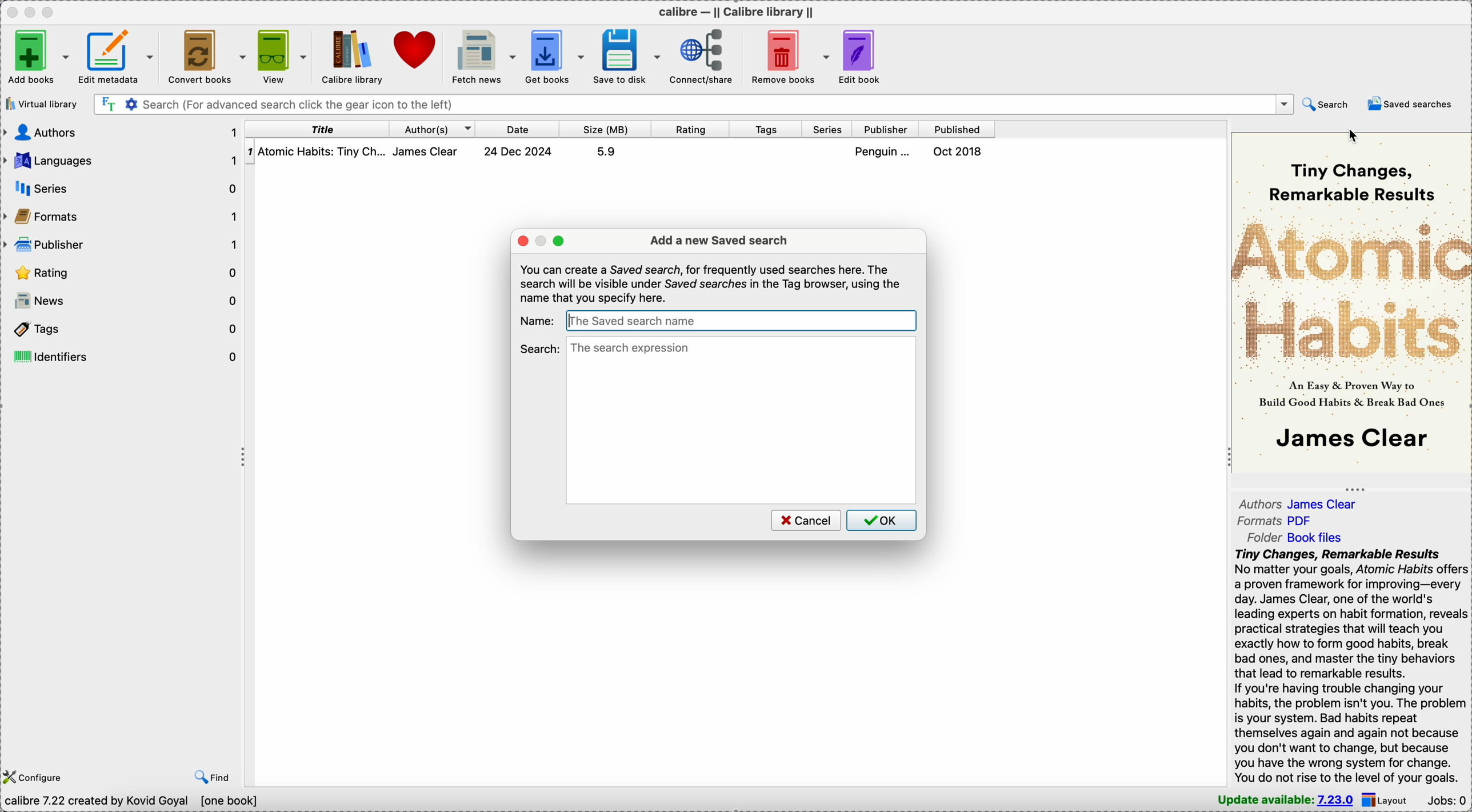 The image size is (1472, 812). What do you see at coordinates (805, 520) in the screenshot?
I see `cancel` at bounding box center [805, 520].